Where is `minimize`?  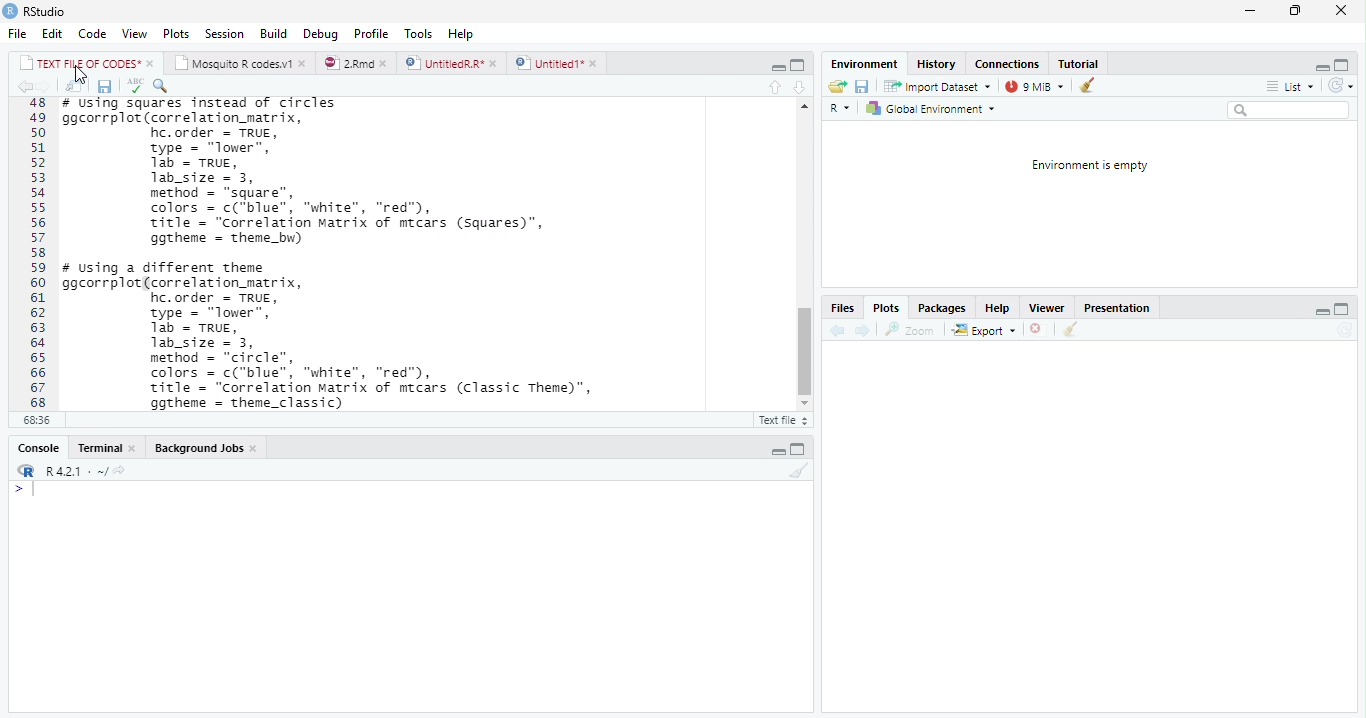
minimize is located at coordinates (1249, 13).